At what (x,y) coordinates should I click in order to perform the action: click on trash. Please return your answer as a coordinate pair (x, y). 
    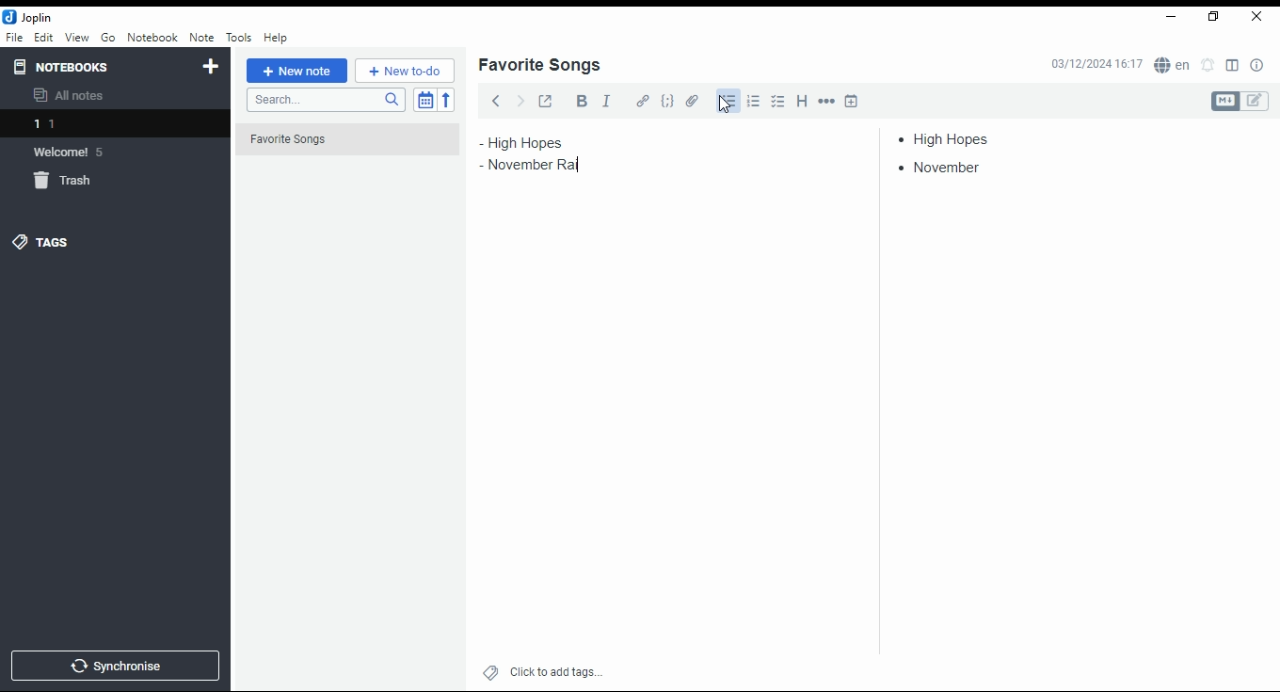
    Looking at the image, I should click on (74, 184).